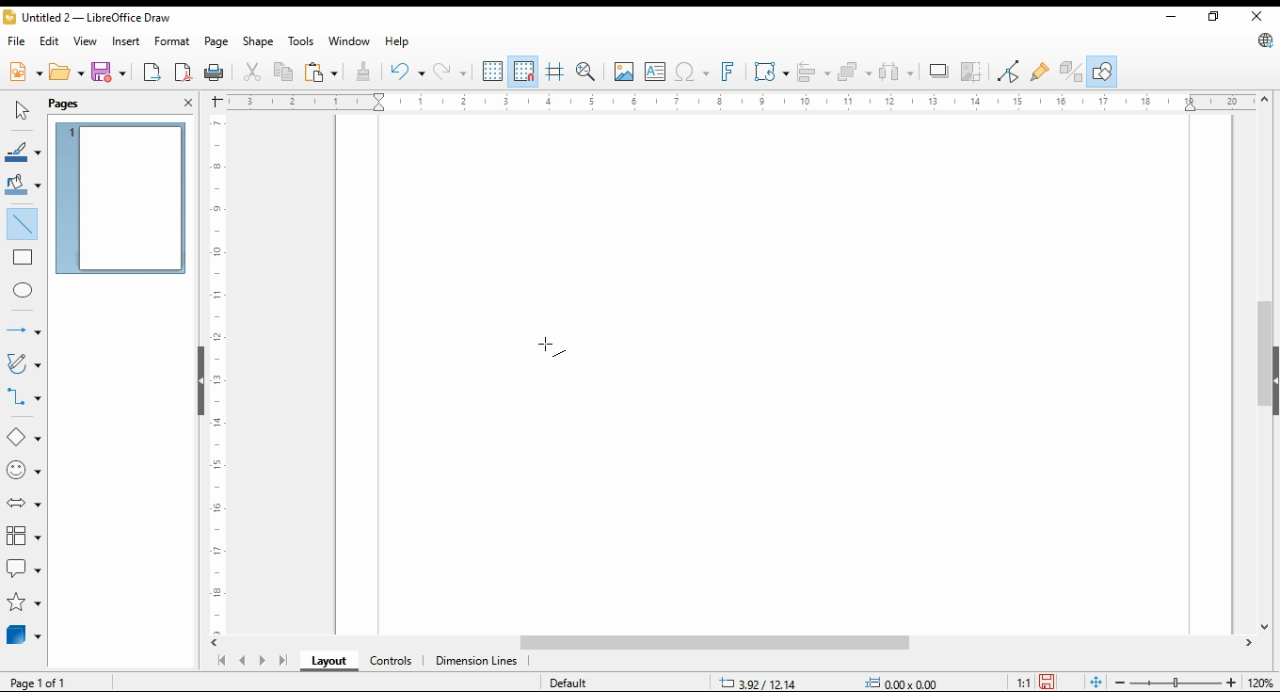  I want to click on close window, so click(1258, 16).